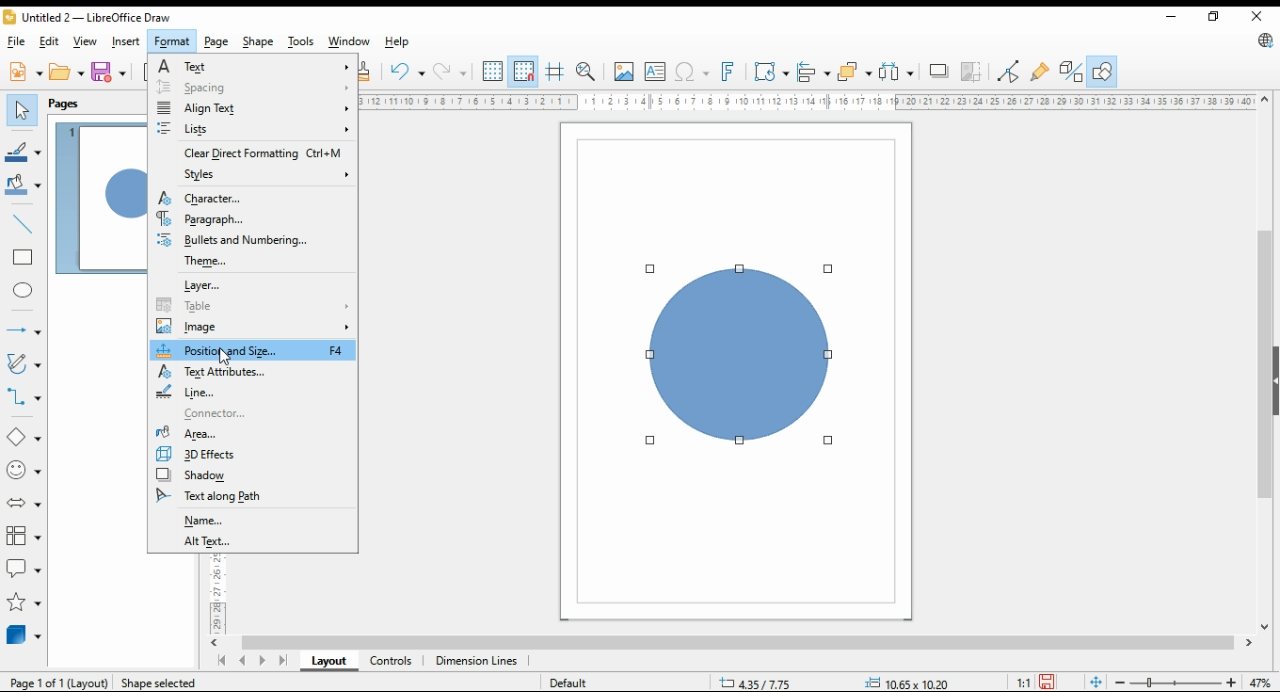 The height and width of the screenshot is (692, 1280). I want to click on format, so click(173, 41).